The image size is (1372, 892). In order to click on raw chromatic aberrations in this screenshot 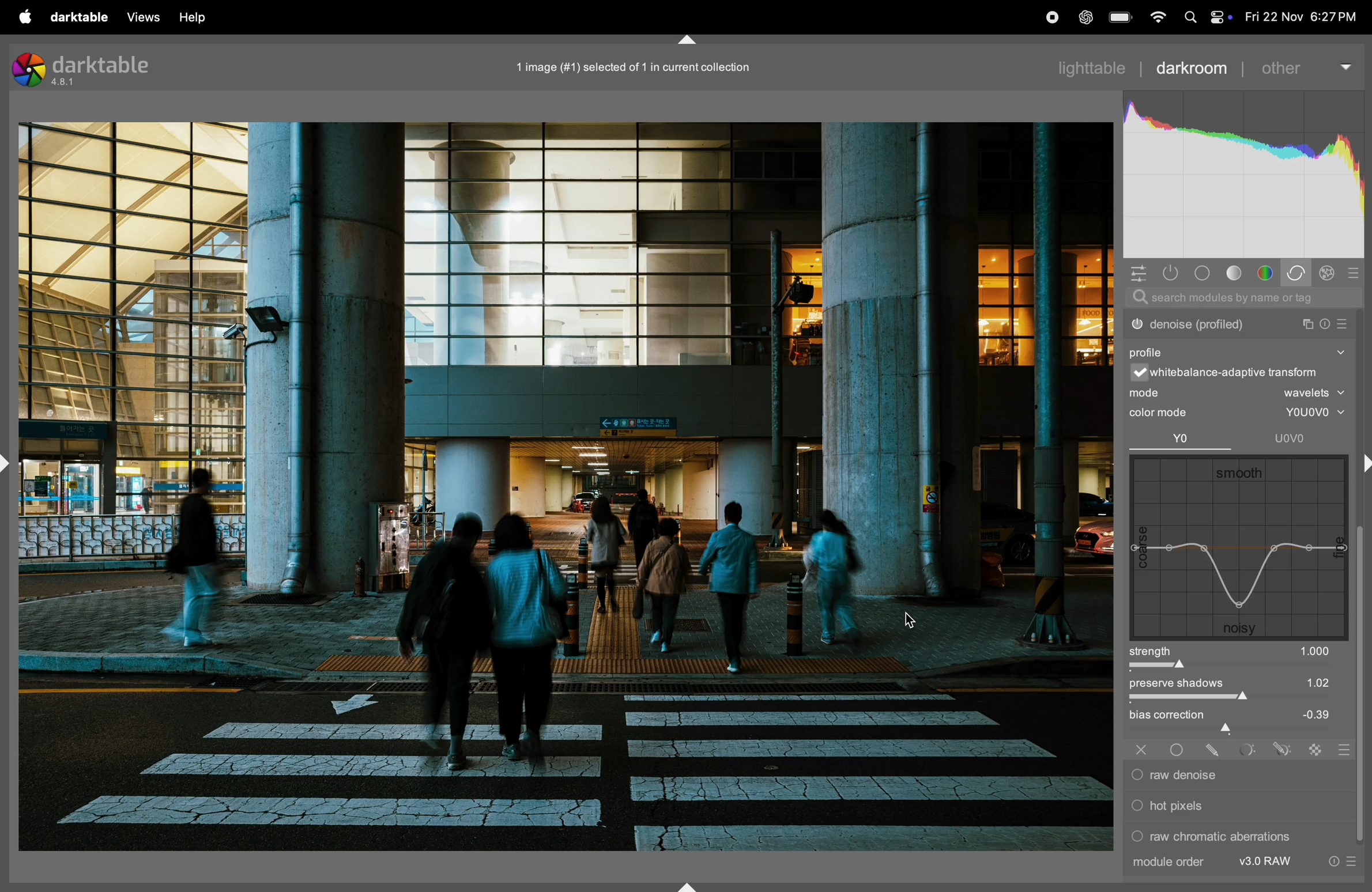, I will do `click(1212, 836)`.